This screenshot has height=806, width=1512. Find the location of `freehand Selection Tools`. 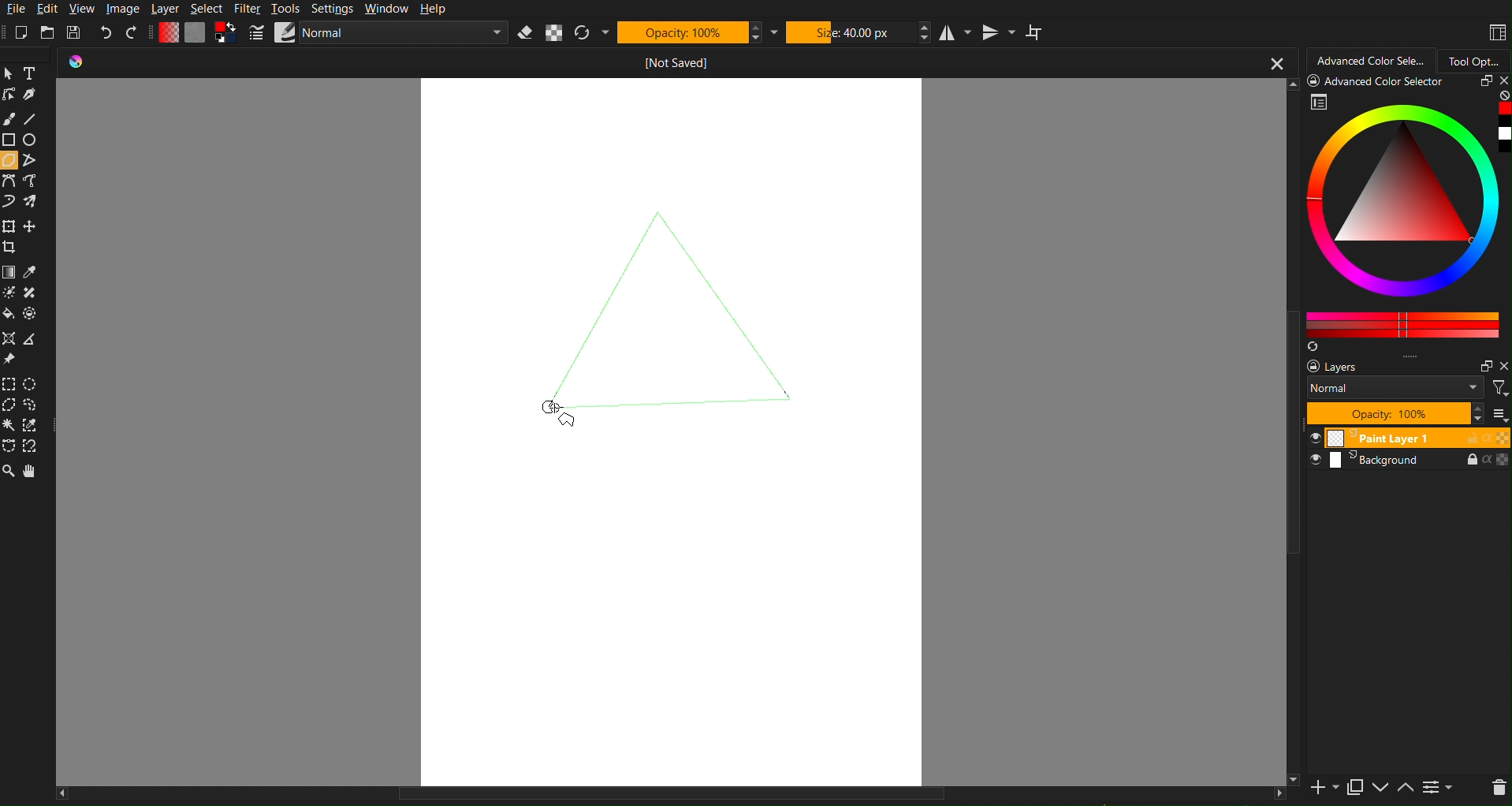

freehand Selection Tools is located at coordinates (32, 405).